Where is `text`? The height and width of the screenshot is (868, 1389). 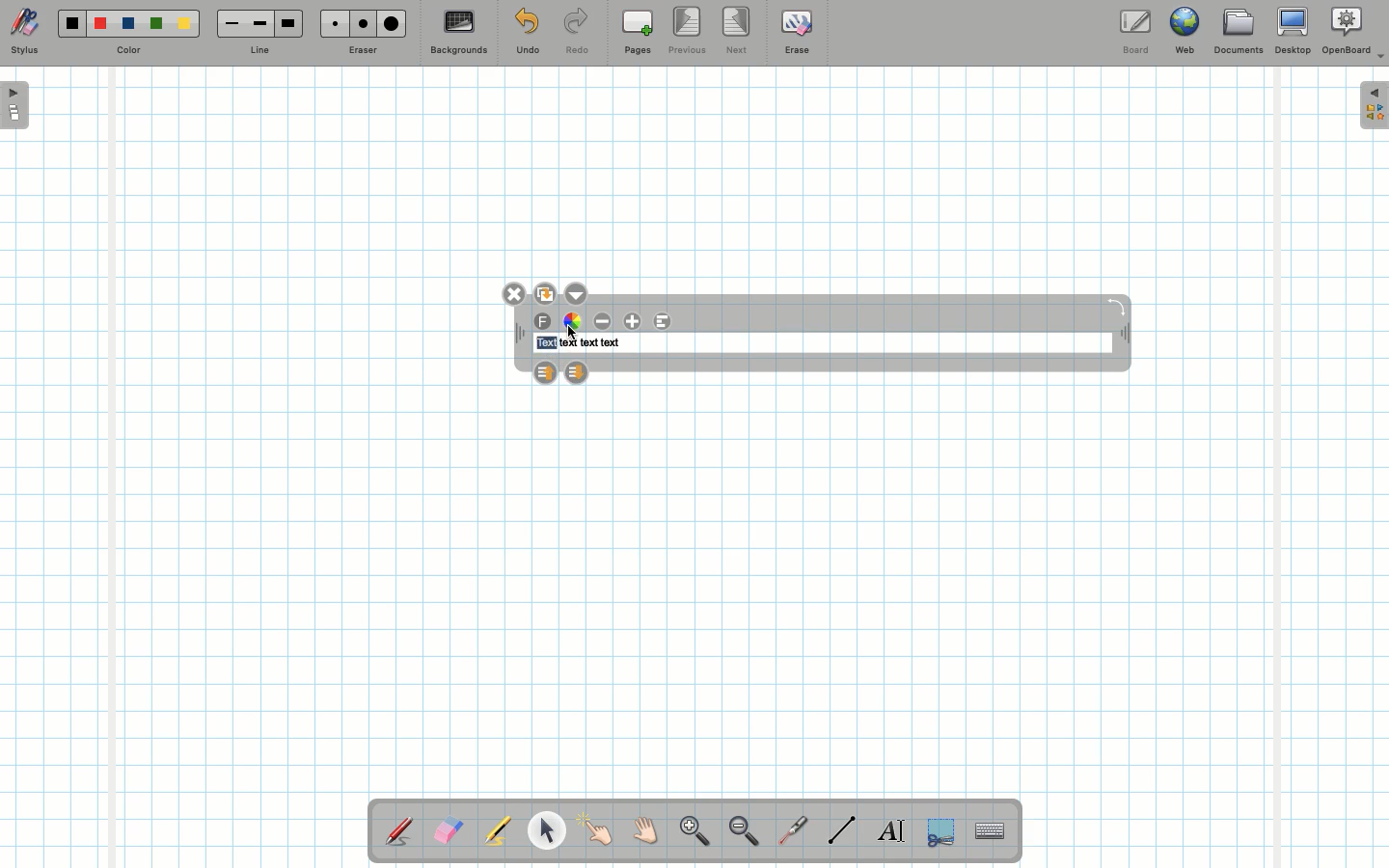 text is located at coordinates (567, 343).